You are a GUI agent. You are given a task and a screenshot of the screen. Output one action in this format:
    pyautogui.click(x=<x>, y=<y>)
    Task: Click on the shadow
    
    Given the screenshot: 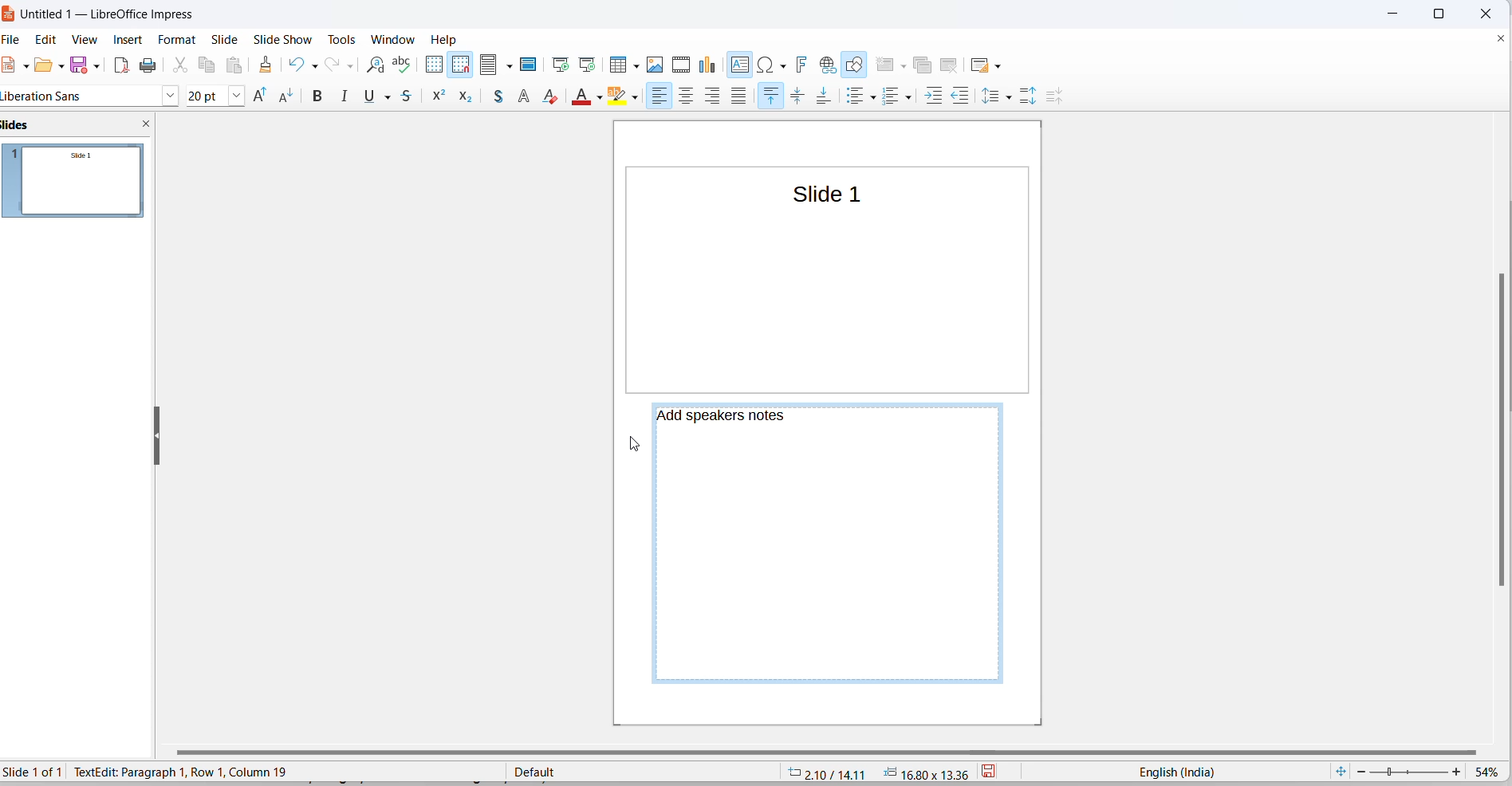 What is the action you would take?
    pyautogui.click(x=721, y=96)
    